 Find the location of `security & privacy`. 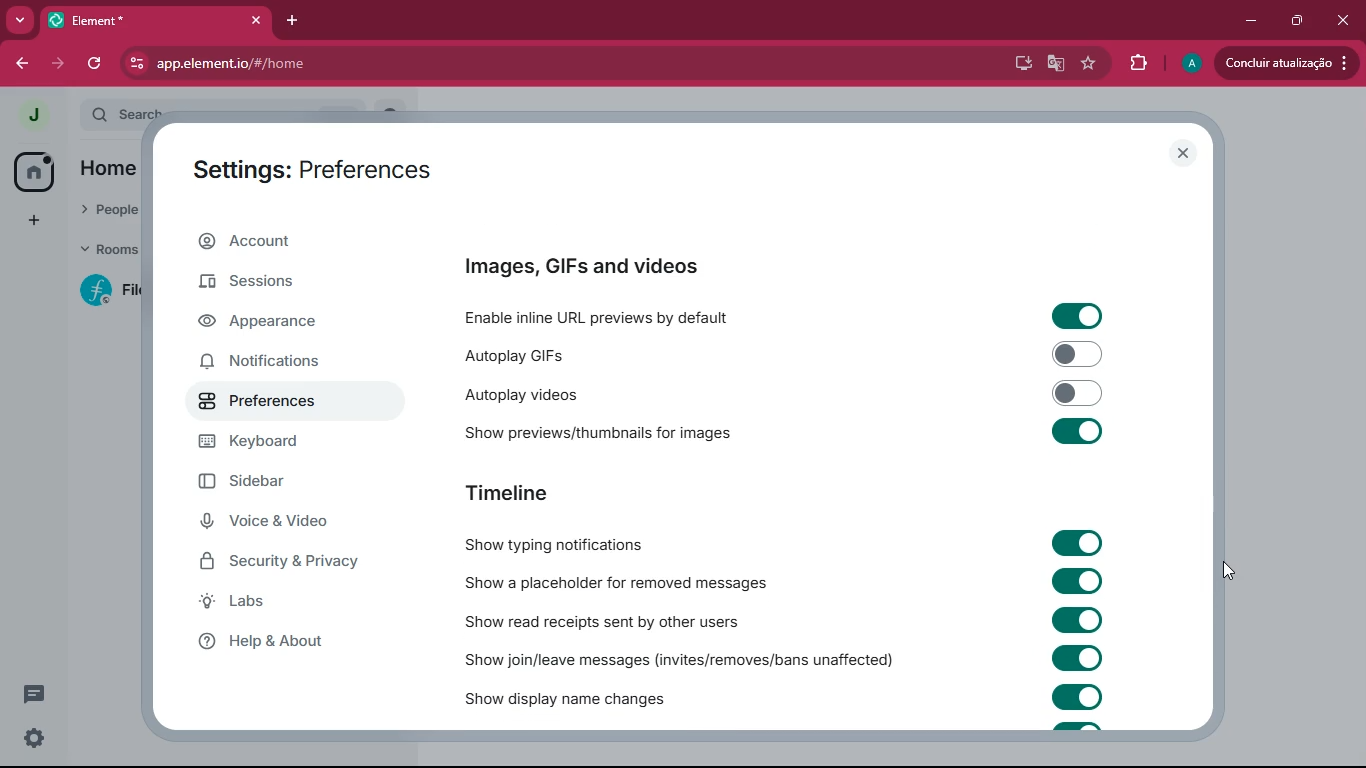

security & privacy is located at coordinates (292, 559).